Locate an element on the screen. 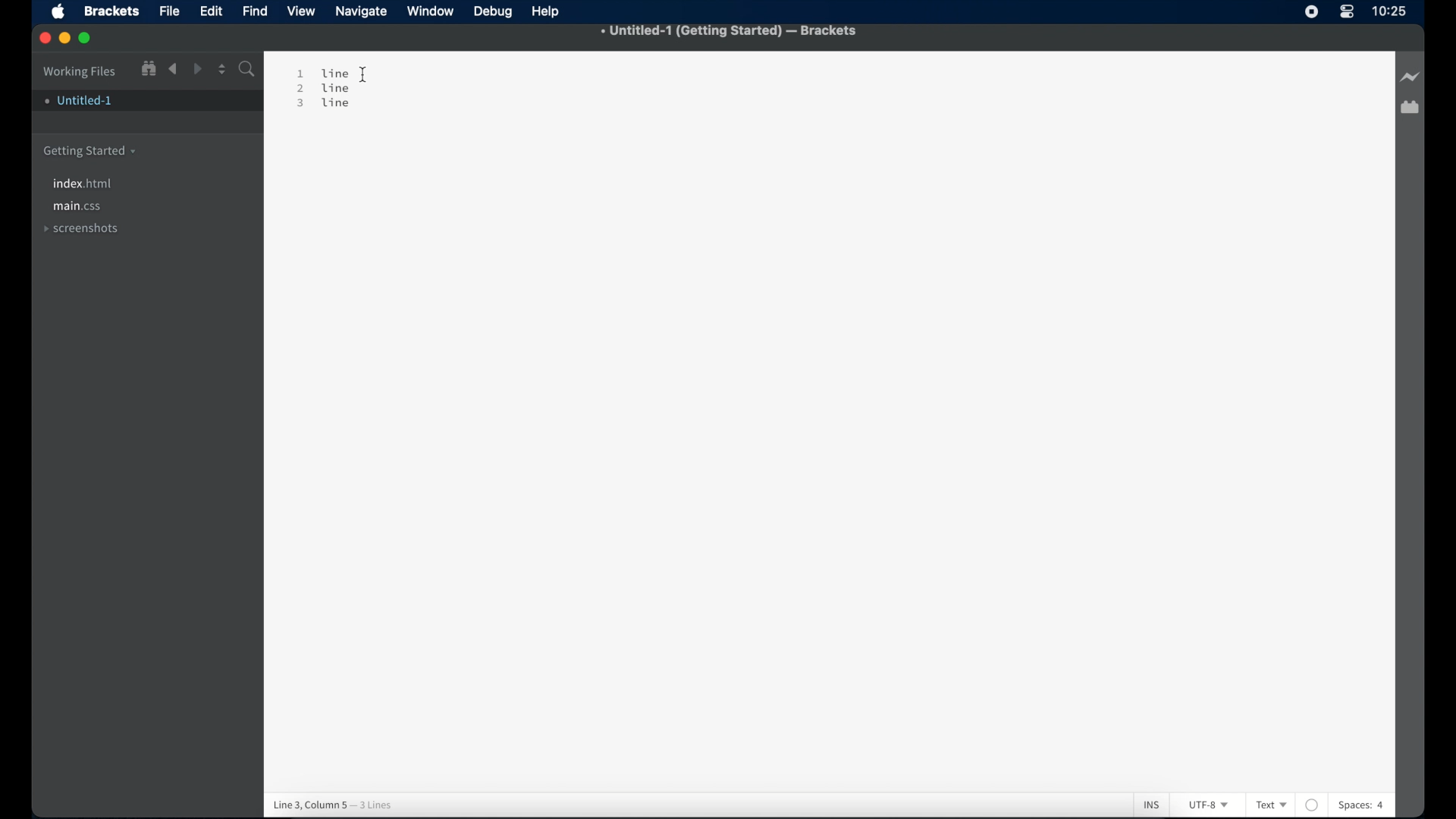 The width and height of the screenshot is (1456, 819). extension manager is located at coordinates (1410, 108).